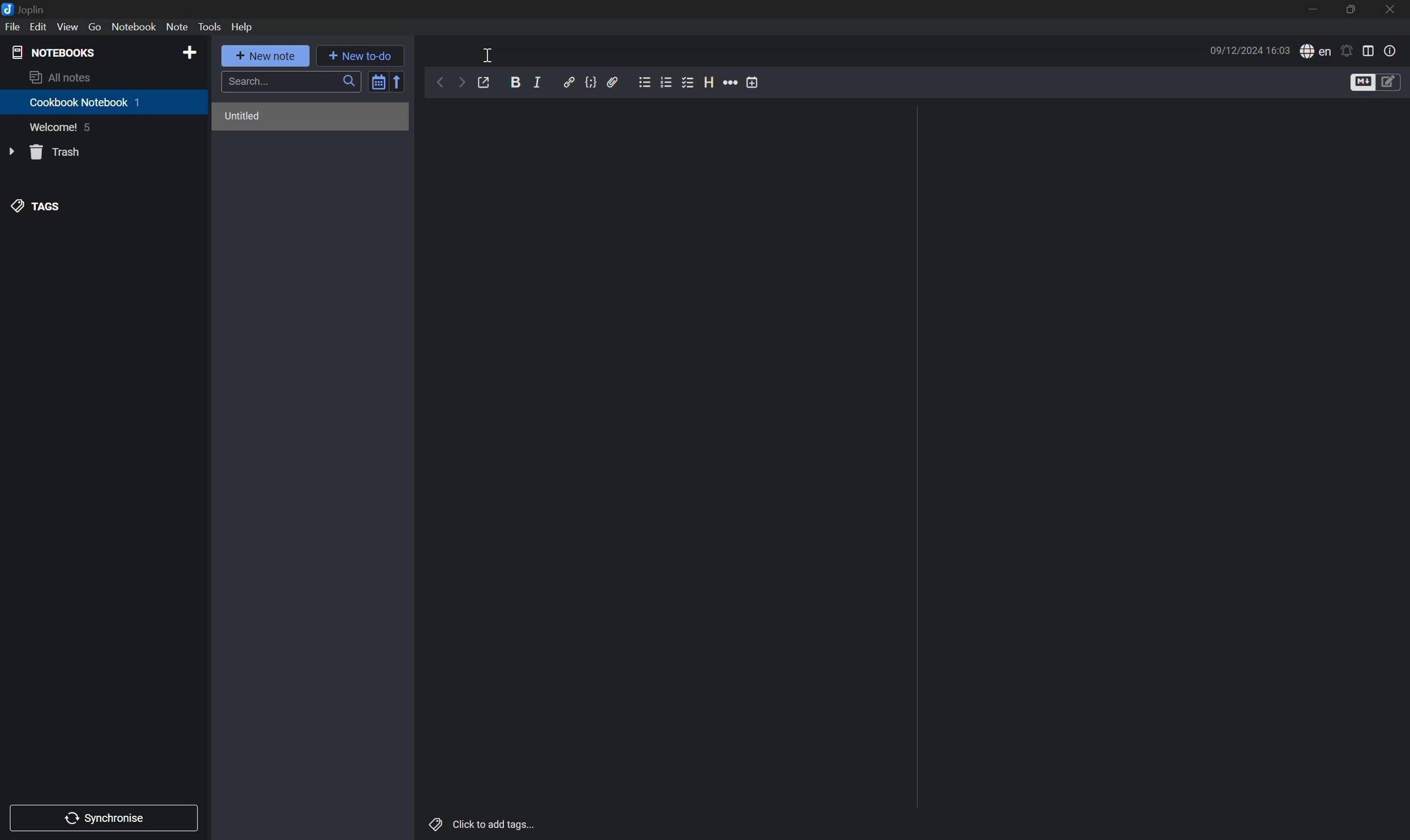 The height and width of the screenshot is (840, 1410). I want to click on Toggle external editing, so click(486, 82).